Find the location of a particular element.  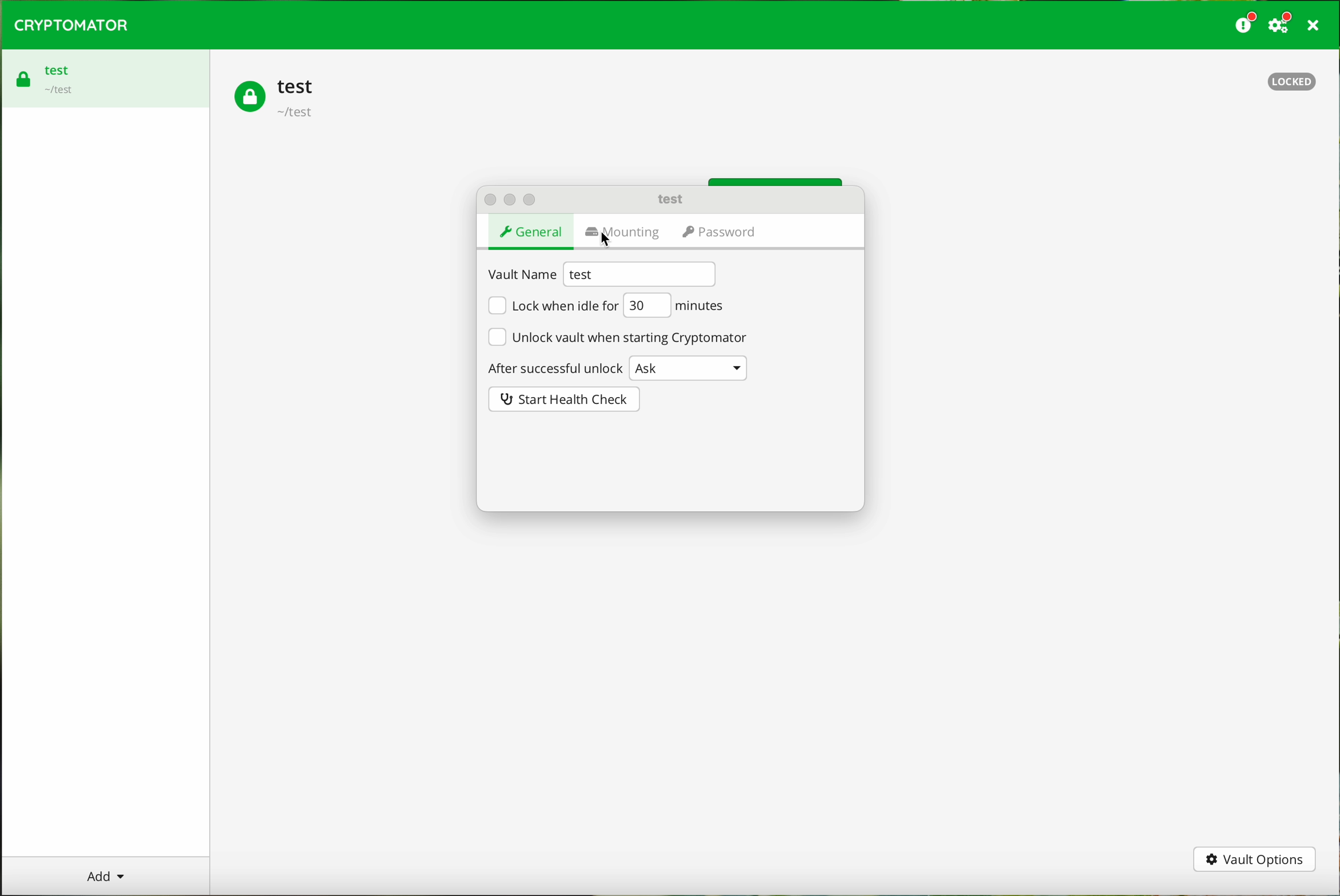

locked is located at coordinates (1293, 82).